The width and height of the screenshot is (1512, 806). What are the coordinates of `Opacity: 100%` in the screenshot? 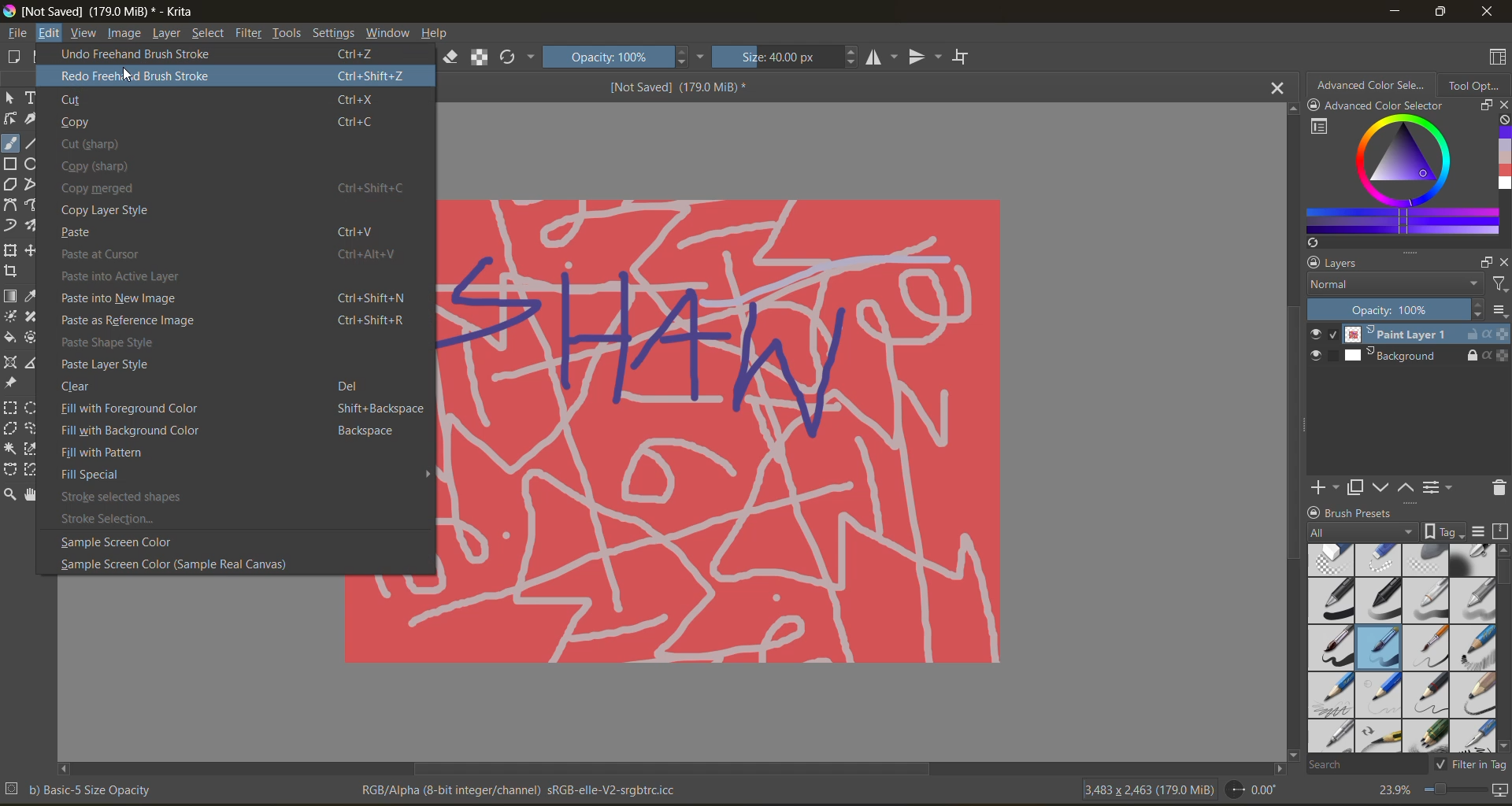 It's located at (624, 57).